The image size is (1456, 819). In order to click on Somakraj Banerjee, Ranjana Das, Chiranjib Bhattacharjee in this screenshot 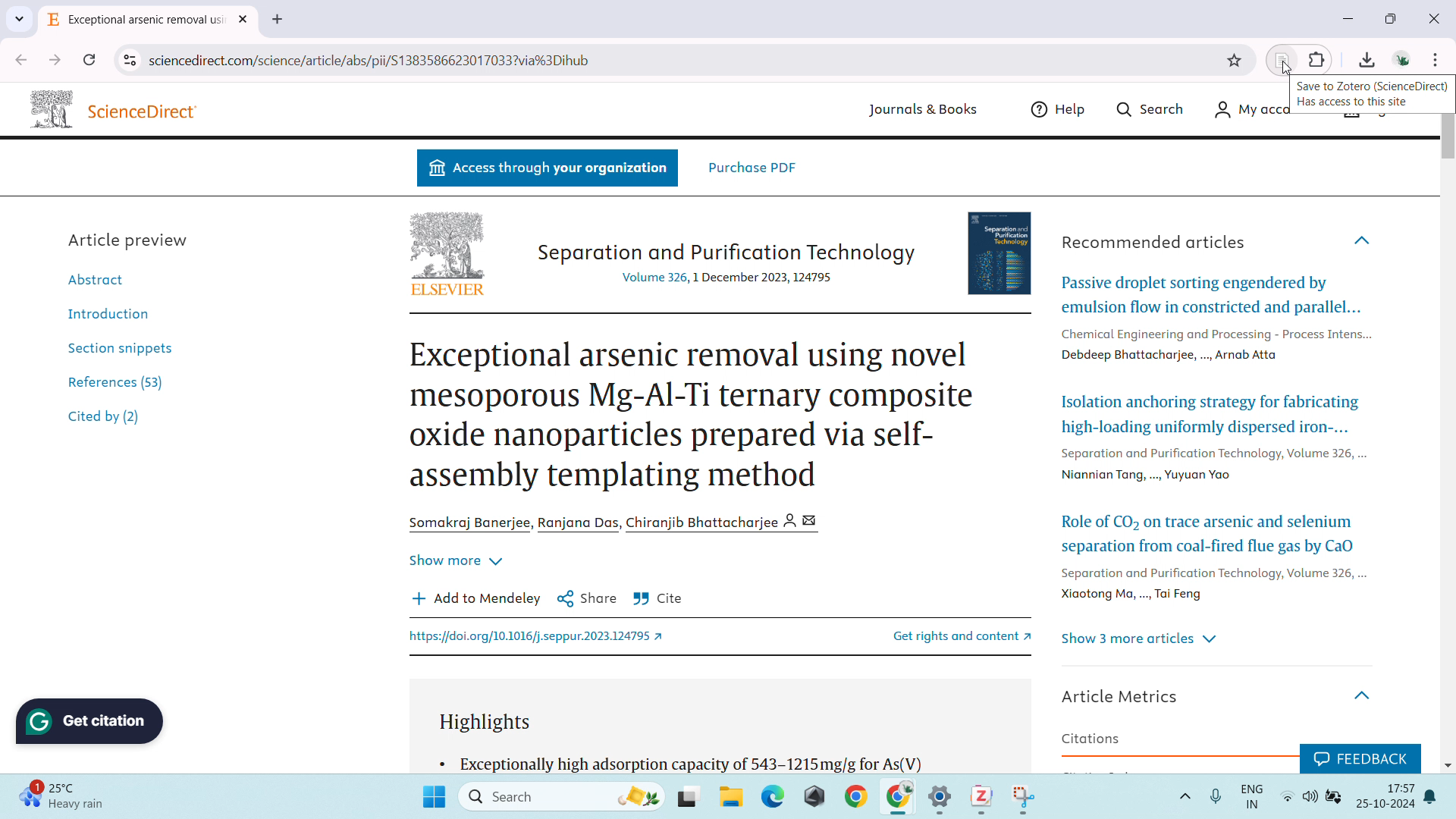, I will do `click(620, 522)`.